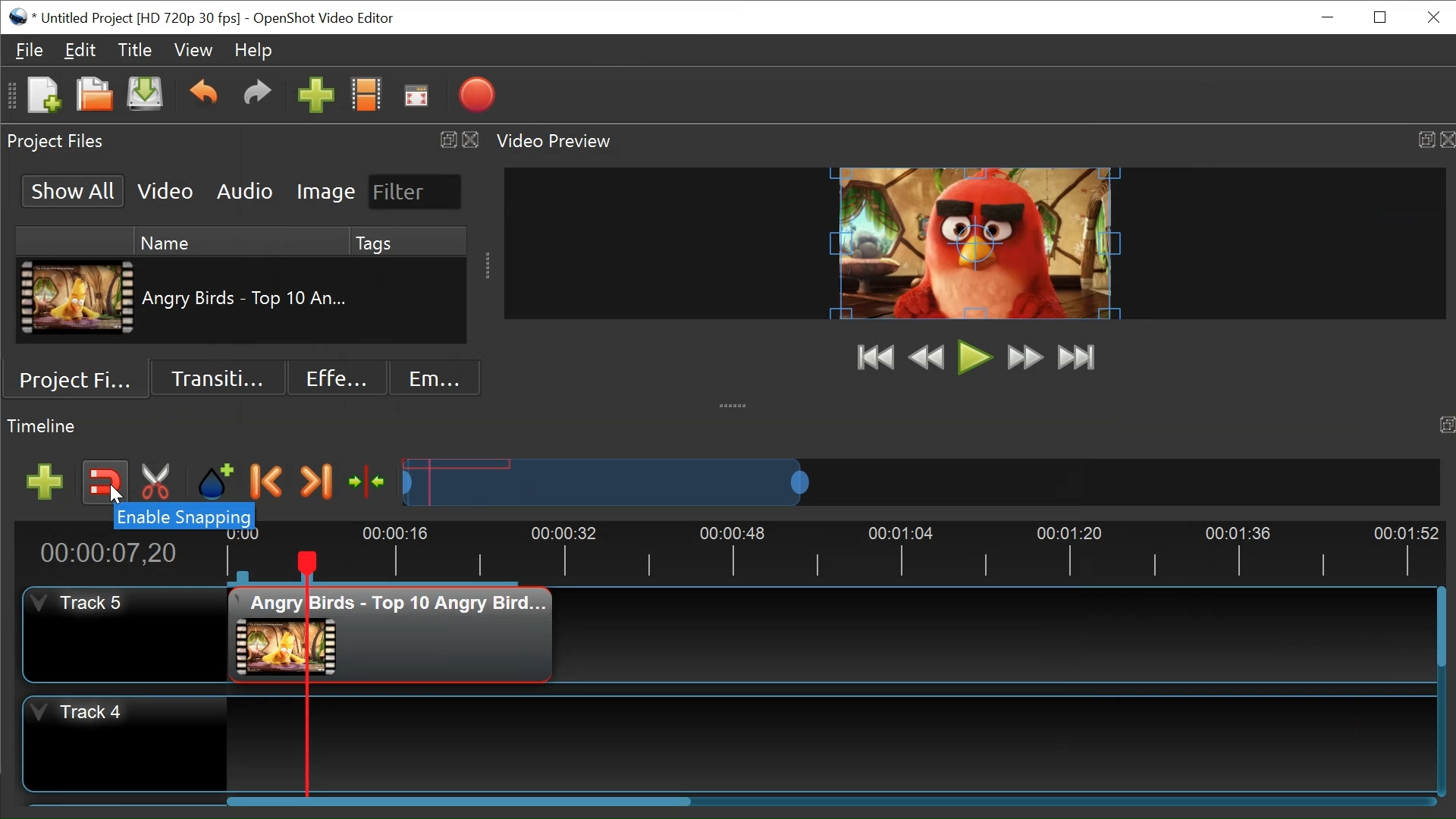  What do you see at coordinates (120, 551) in the screenshot?
I see `Current Position in Hours: Minutes: Seconds: Milliseconds ` at bounding box center [120, 551].